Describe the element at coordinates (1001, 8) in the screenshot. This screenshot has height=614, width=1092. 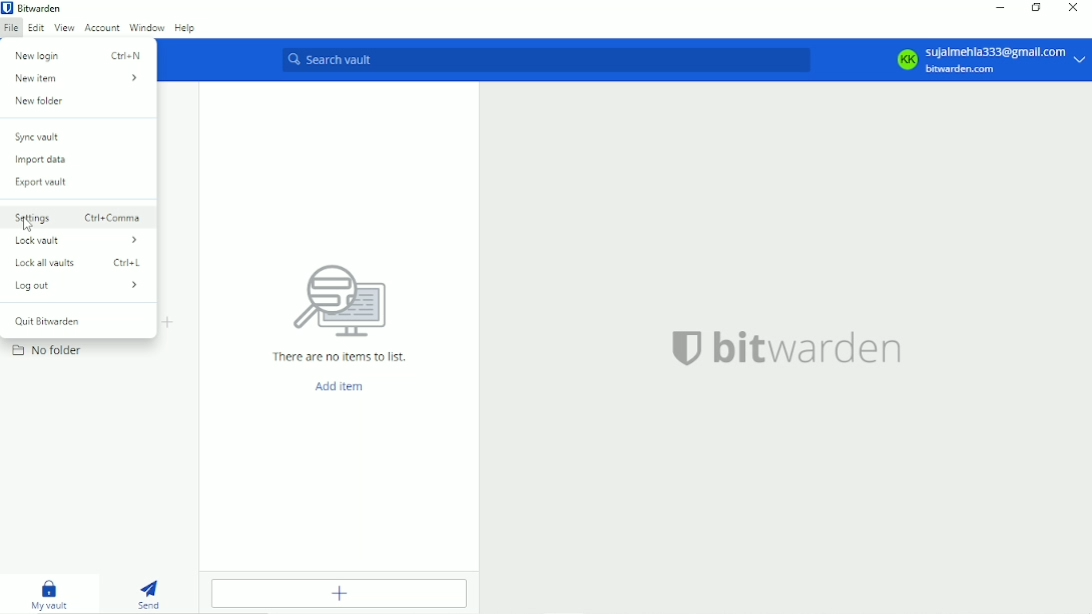
I see `Minimize` at that location.